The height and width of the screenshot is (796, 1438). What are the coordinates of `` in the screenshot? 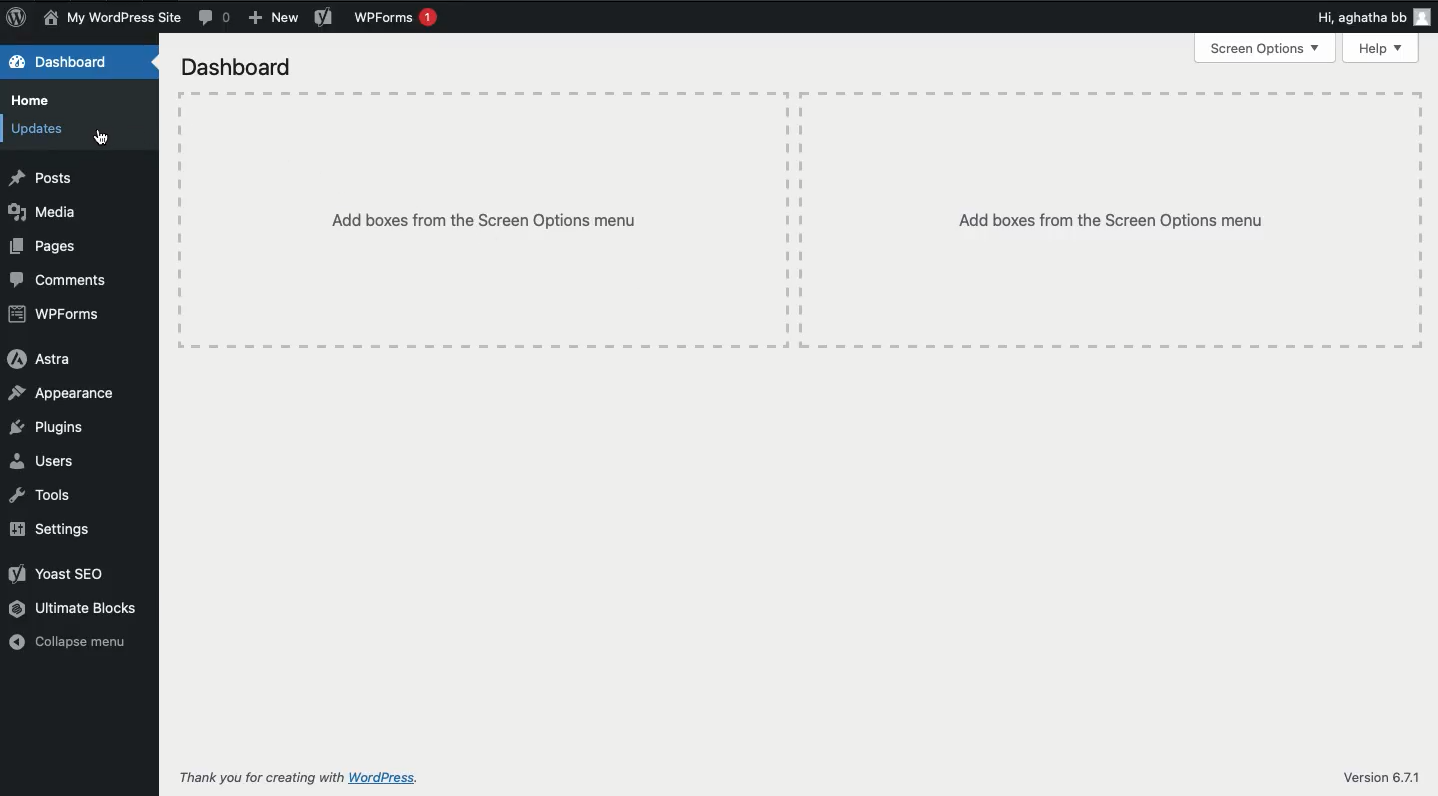 It's located at (1109, 222).